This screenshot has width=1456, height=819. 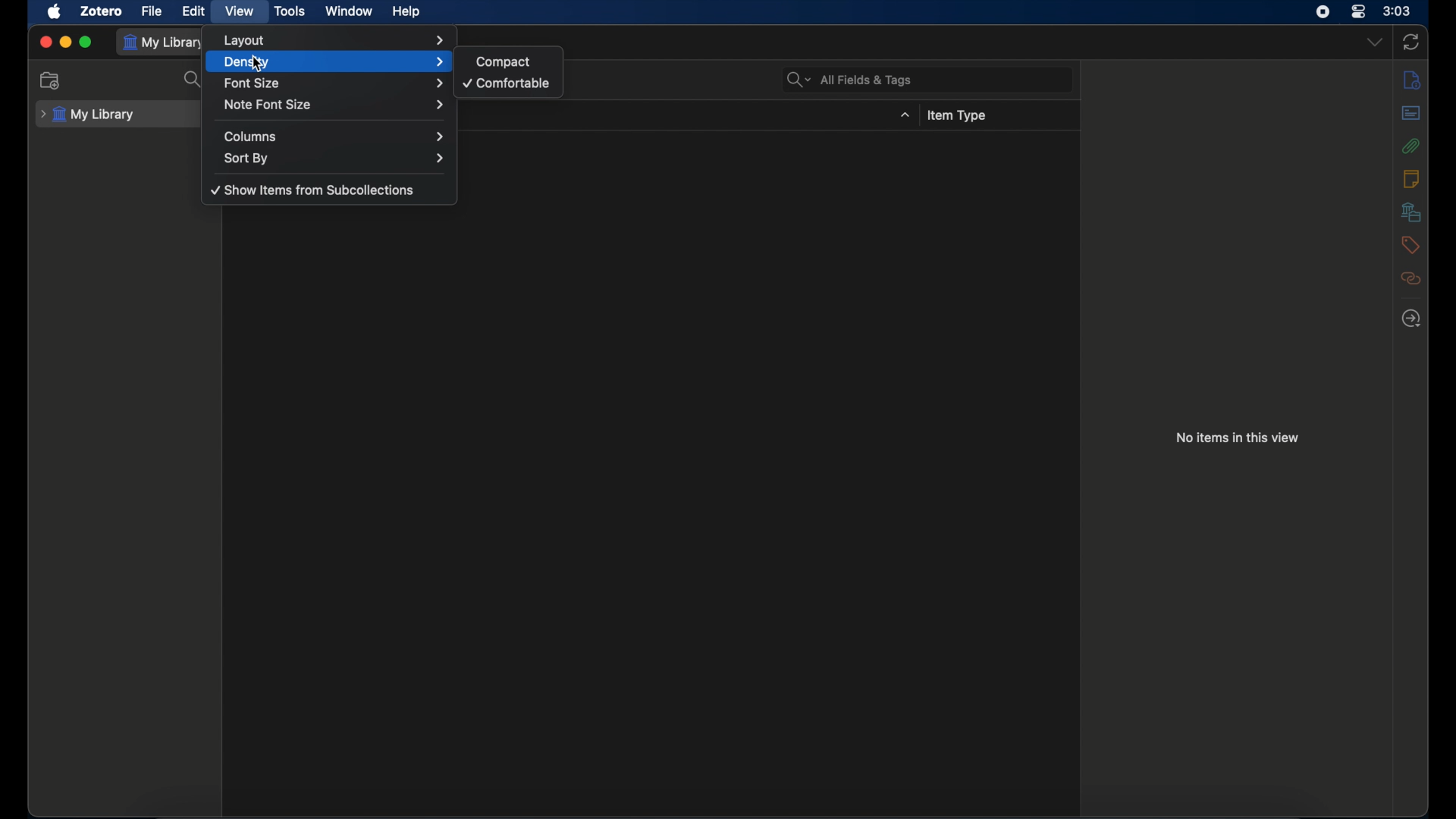 I want to click on info, so click(x=1412, y=81).